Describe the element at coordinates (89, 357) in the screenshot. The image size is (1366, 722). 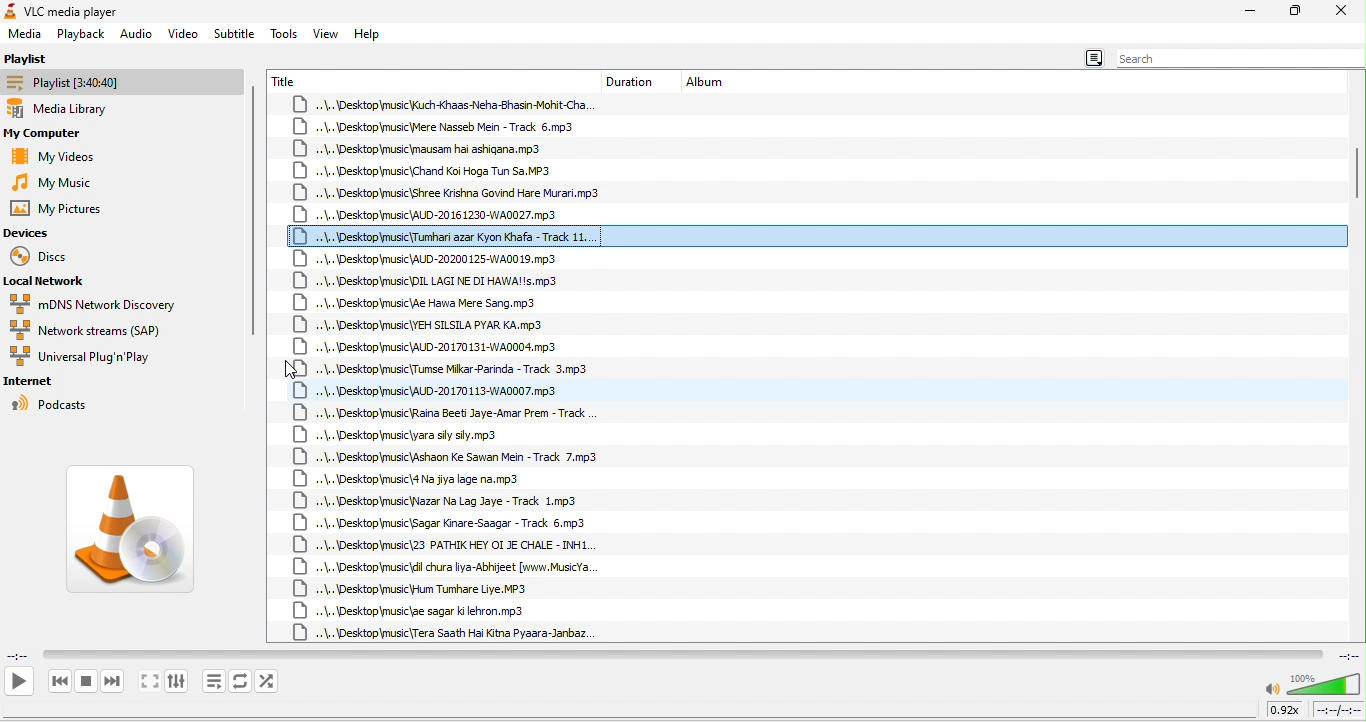
I see `universal plug in play` at that location.